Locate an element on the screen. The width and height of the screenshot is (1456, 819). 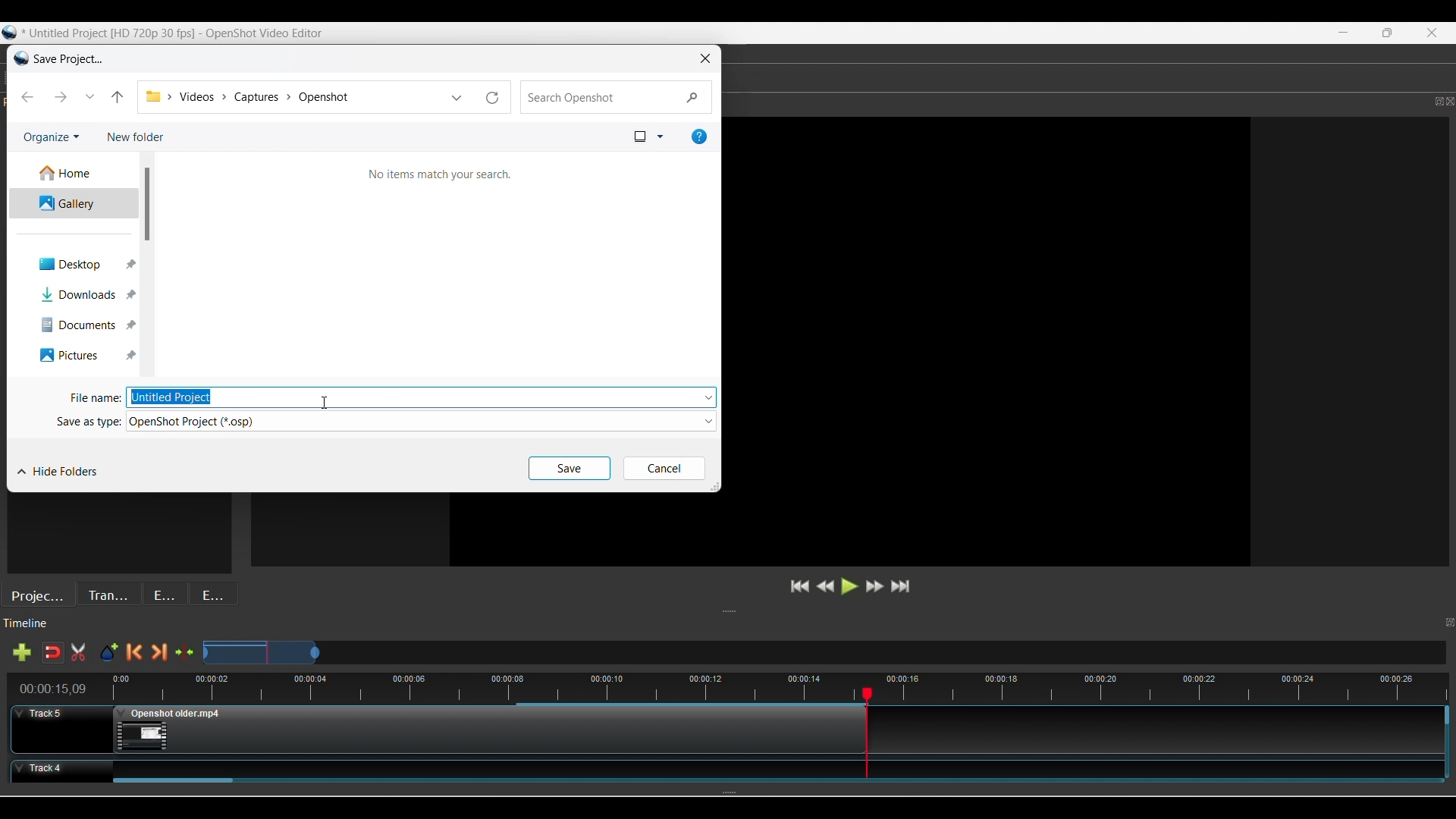
Type file name is located at coordinates (412, 397).